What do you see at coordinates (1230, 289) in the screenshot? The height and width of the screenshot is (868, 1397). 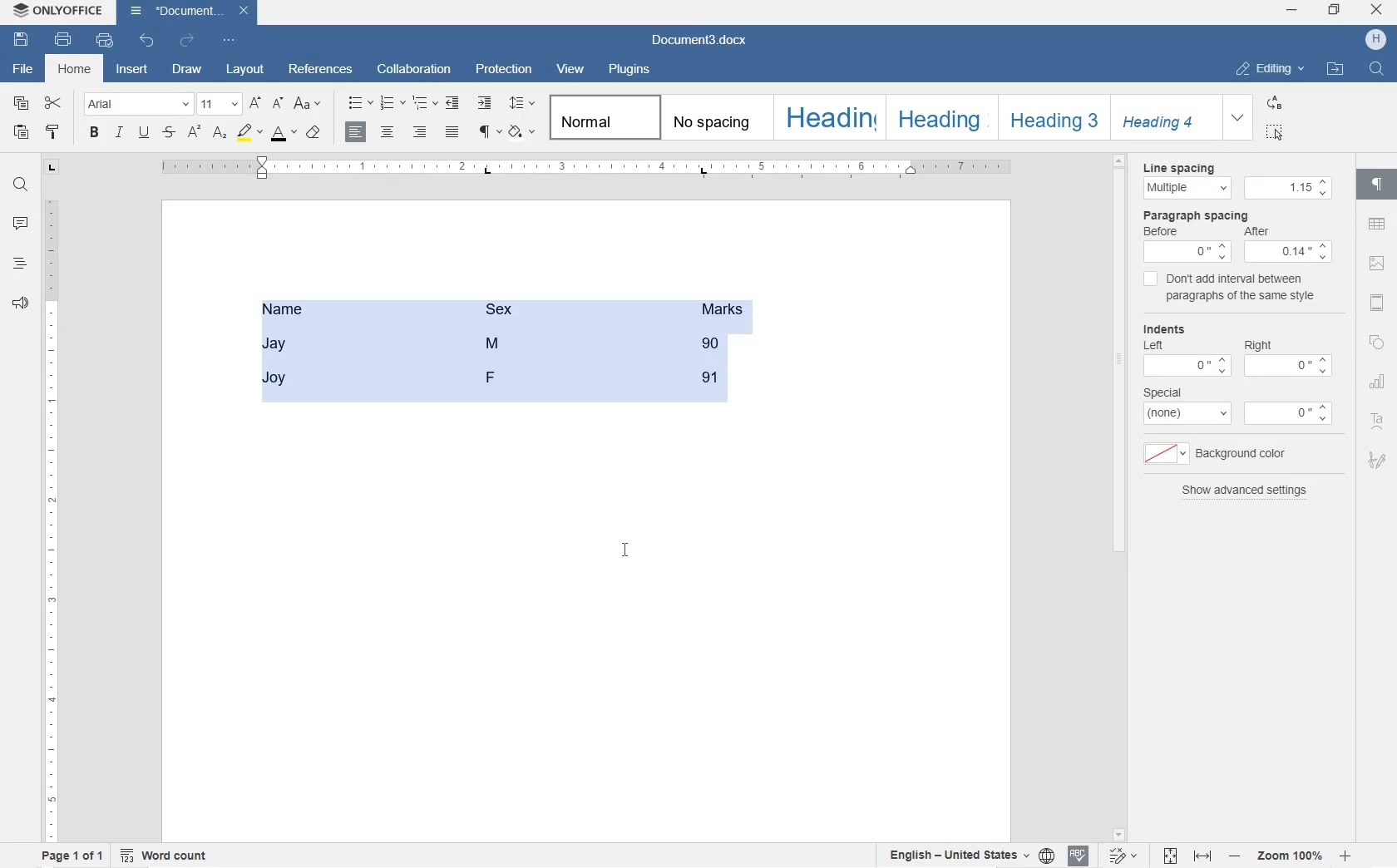 I see `don't add interval between paragraphs of the same style` at bounding box center [1230, 289].